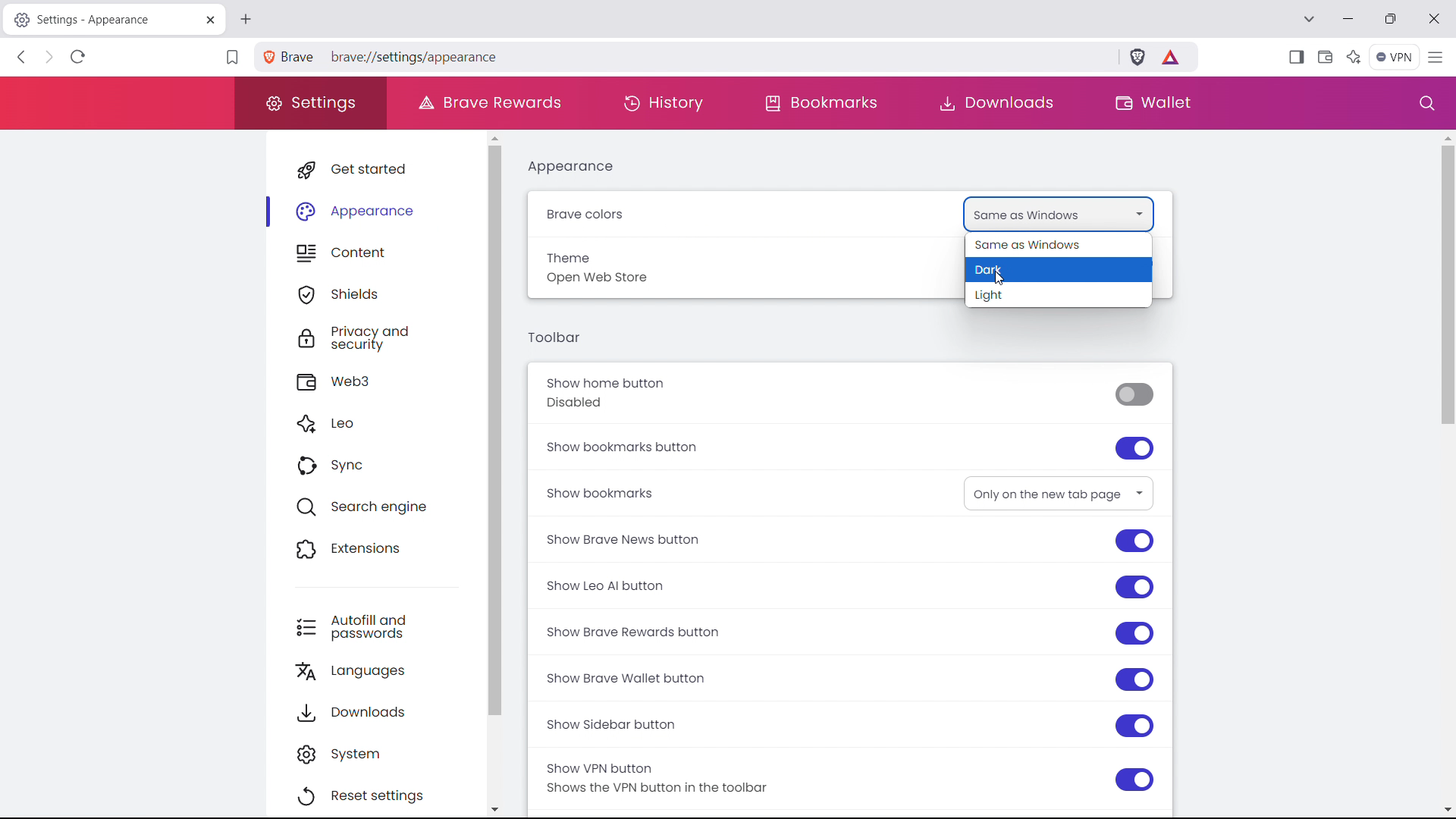 The image size is (1456, 819). What do you see at coordinates (849, 394) in the screenshot?
I see `show home button Disabled` at bounding box center [849, 394].